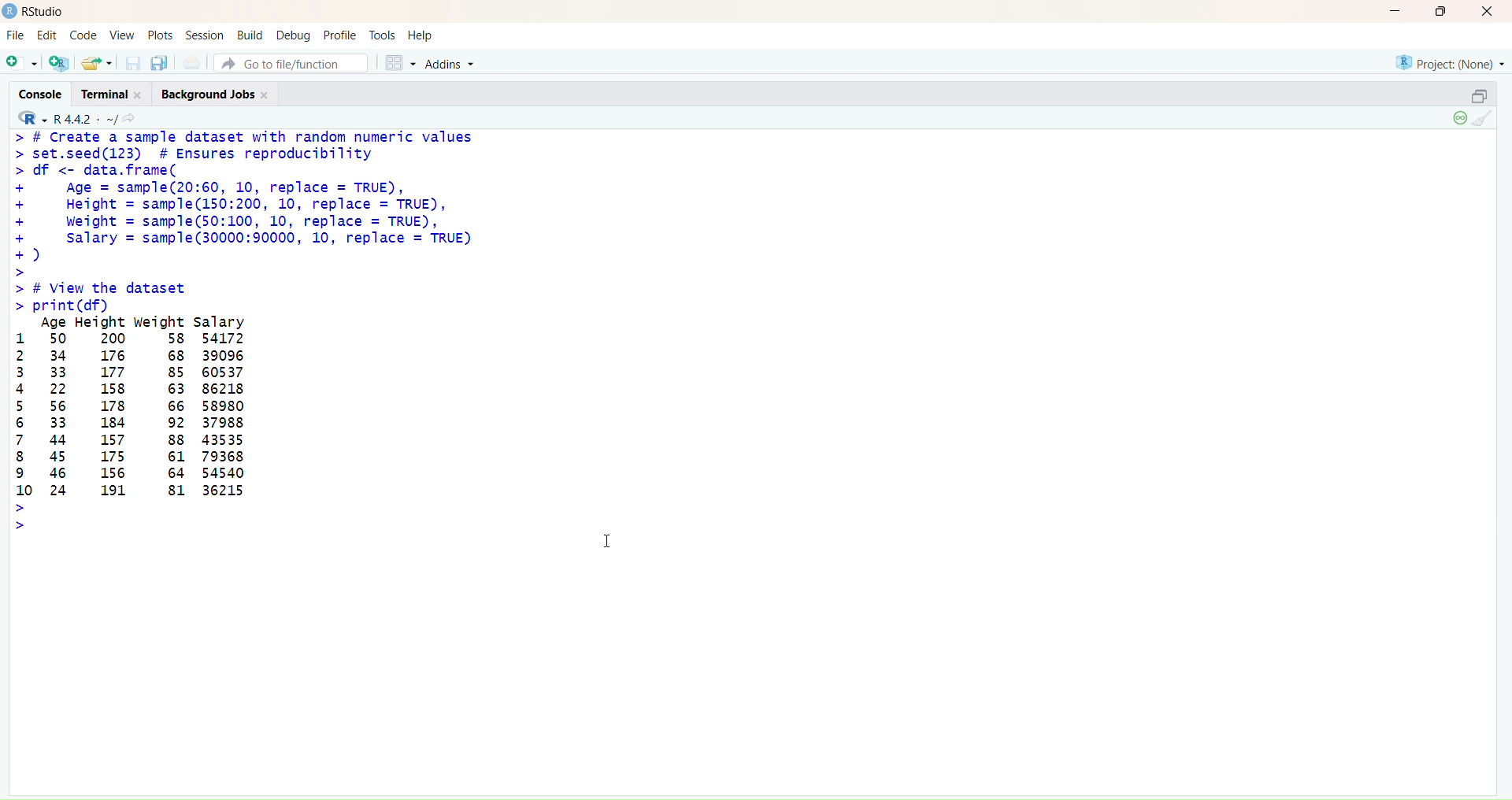  What do you see at coordinates (397, 62) in the screenshot?
I see `Workspace panes` at bounding box center [397, 62].